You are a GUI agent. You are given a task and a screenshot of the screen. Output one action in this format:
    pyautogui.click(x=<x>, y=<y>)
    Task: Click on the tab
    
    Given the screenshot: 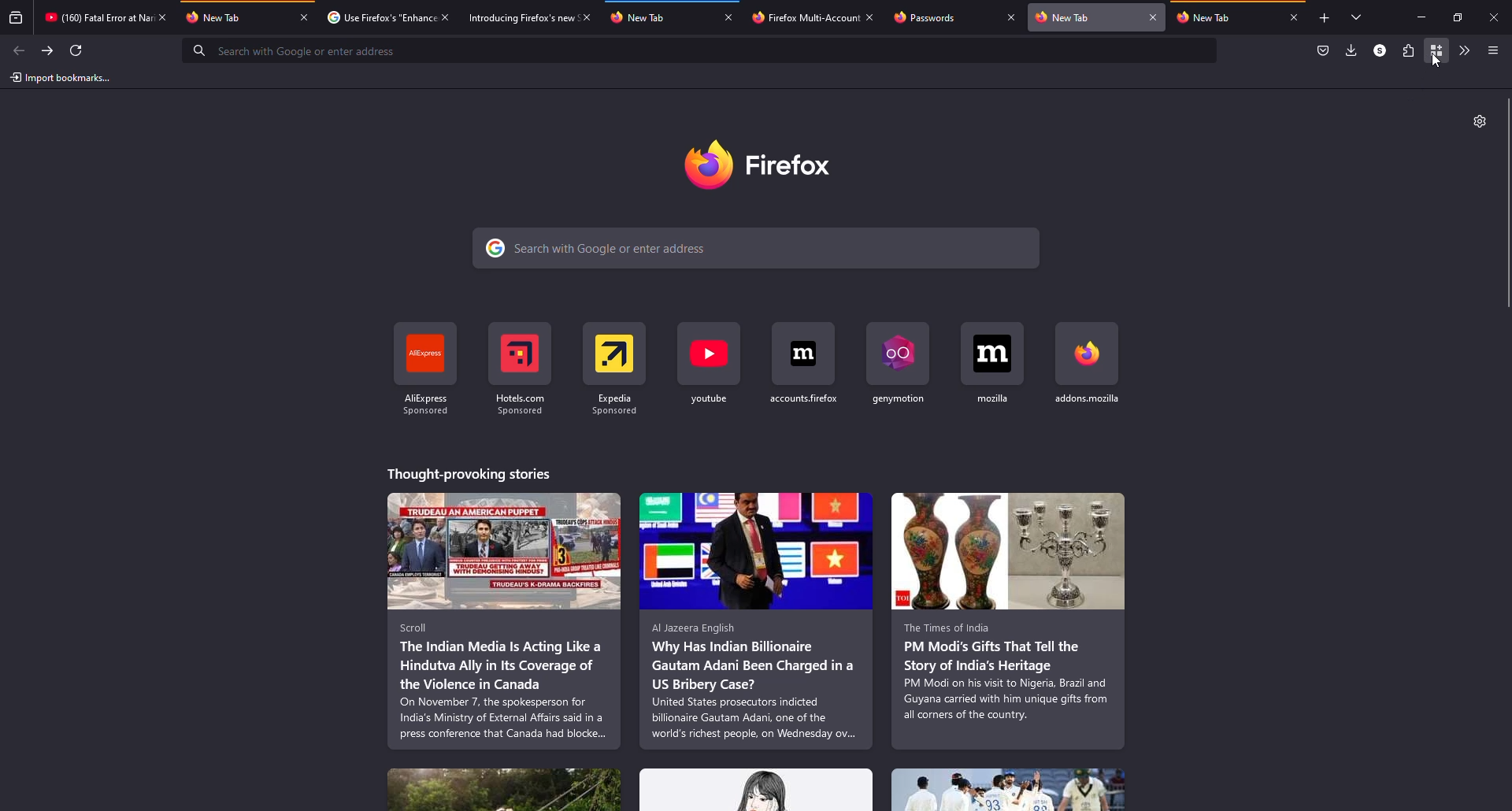 What is the action you would take?
    pyautogui.click(x=658, y=17)
    